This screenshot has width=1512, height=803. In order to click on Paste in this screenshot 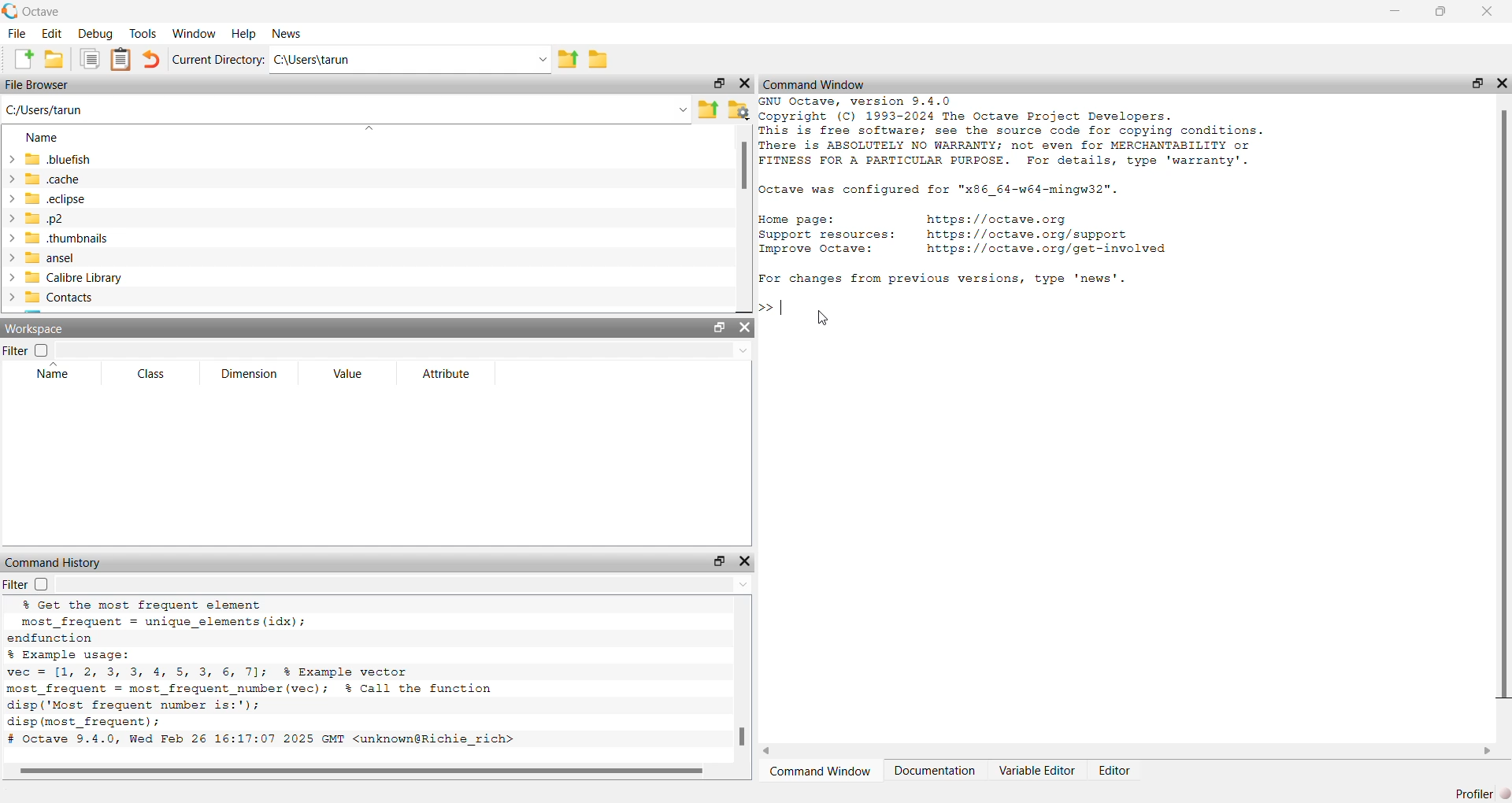, I will do `click(120, 60)`.